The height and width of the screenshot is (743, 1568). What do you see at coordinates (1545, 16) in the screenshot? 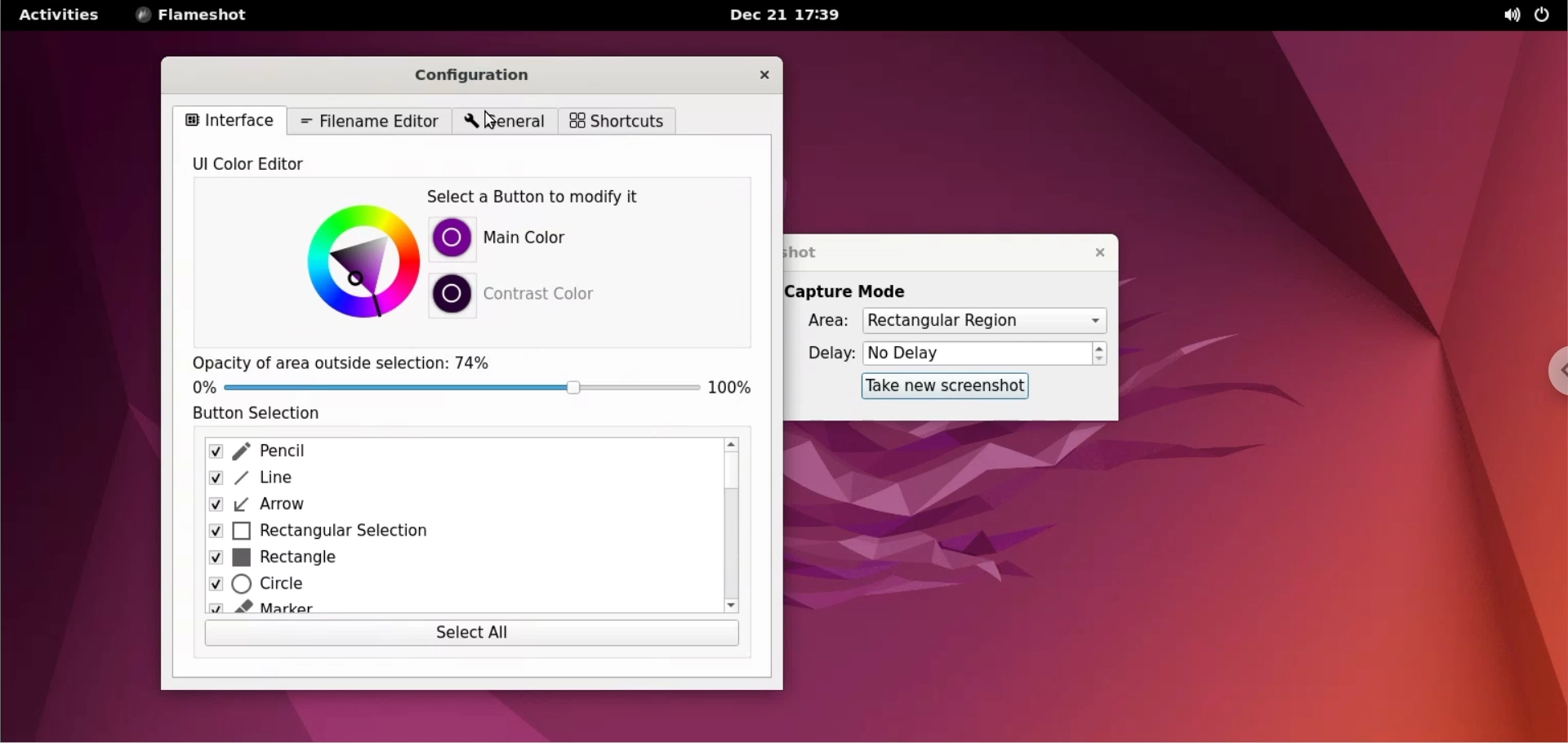
I see `power options` at bounding box center [1545, 16].